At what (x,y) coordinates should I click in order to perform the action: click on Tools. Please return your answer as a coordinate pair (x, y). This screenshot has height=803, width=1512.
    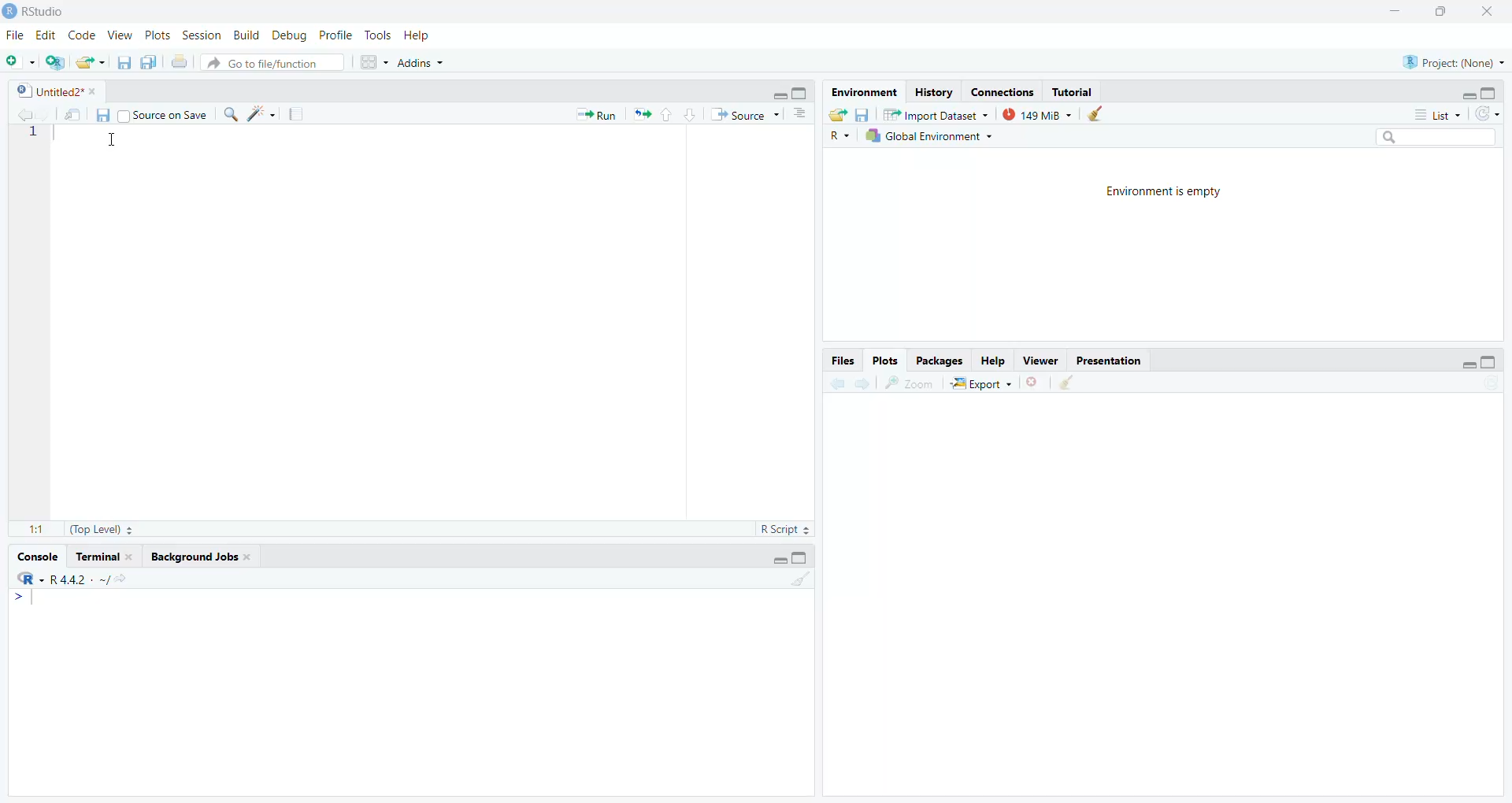
    Looking at the image, I should click on (376, 35).